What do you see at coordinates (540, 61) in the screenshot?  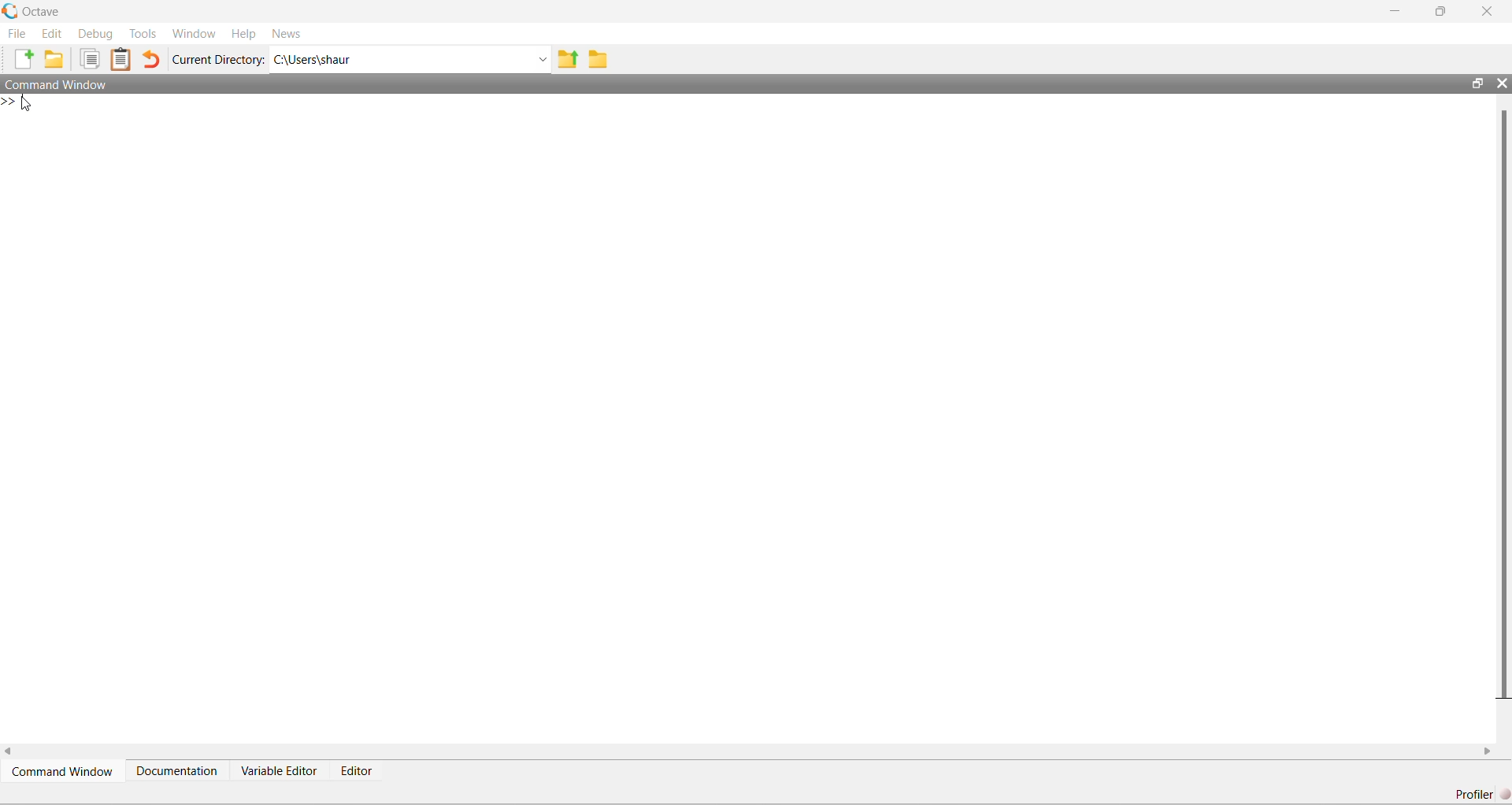 I see `Dropdown` at bounding box center [540, 61].